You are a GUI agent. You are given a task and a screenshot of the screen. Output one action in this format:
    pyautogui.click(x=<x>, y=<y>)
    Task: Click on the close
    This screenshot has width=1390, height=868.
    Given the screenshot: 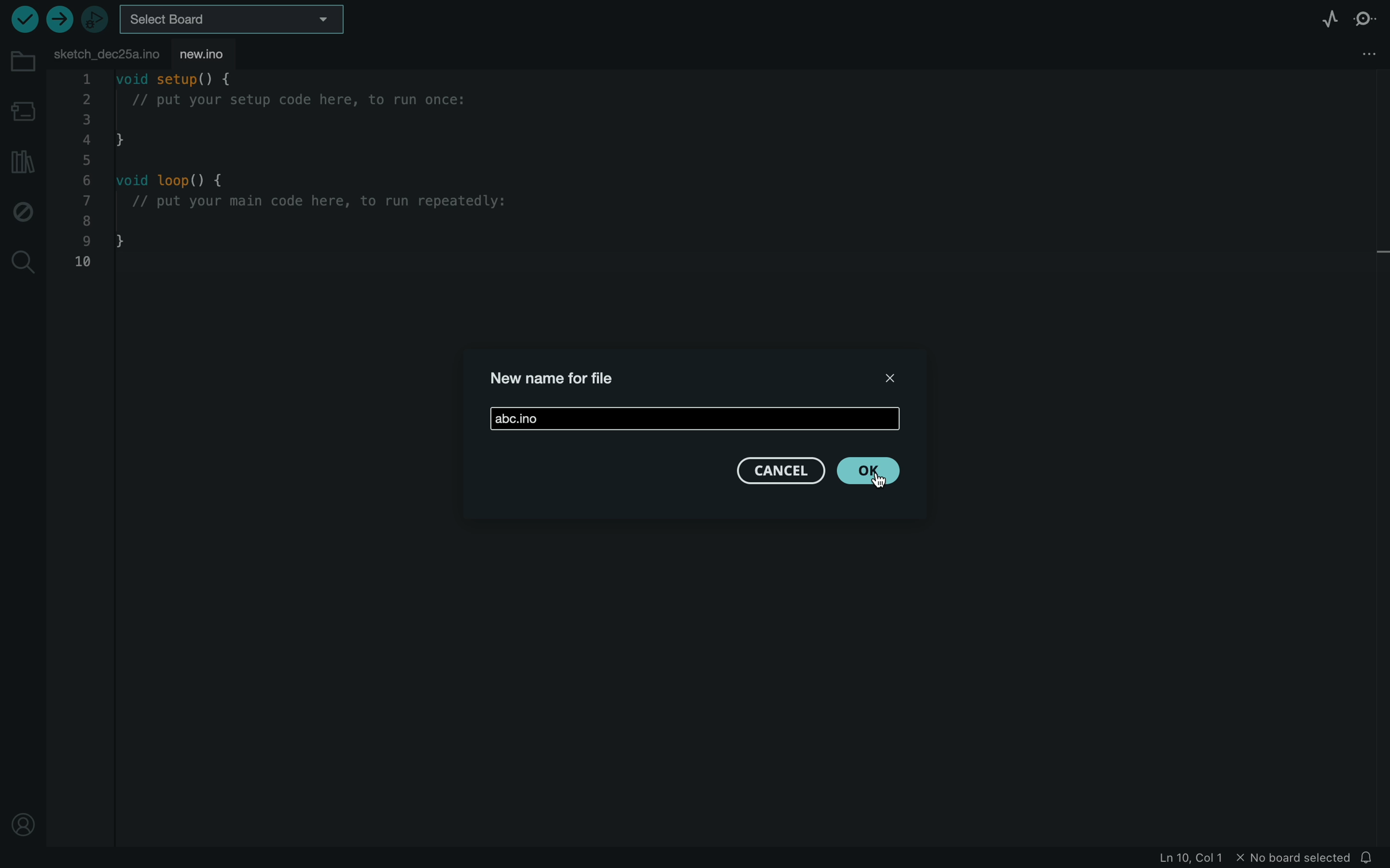 What is the action you would take?
    pyautogui.click(x=894, y=378)
    